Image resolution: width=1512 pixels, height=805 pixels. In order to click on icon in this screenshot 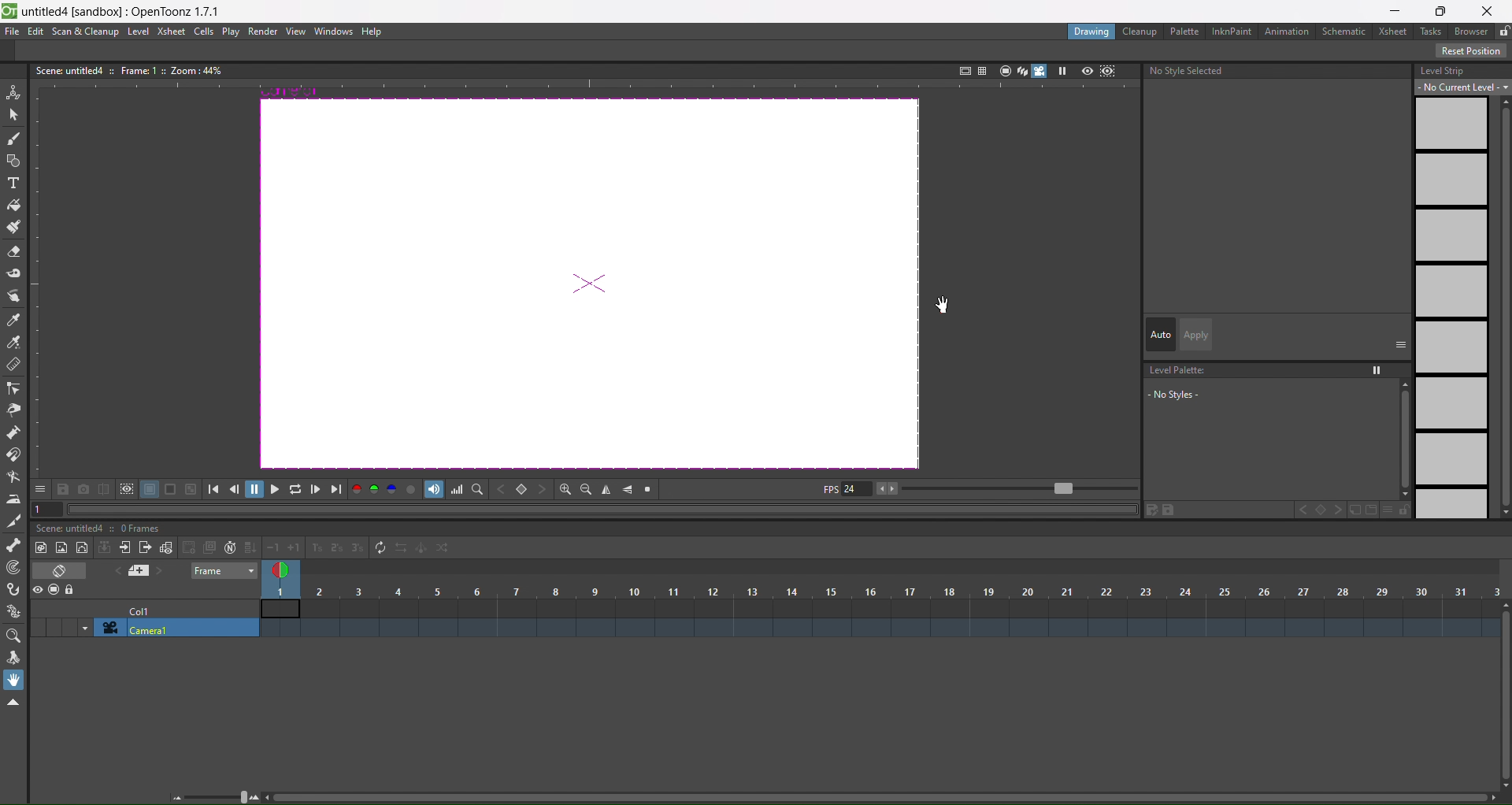, I will do `click(55, 591)`.